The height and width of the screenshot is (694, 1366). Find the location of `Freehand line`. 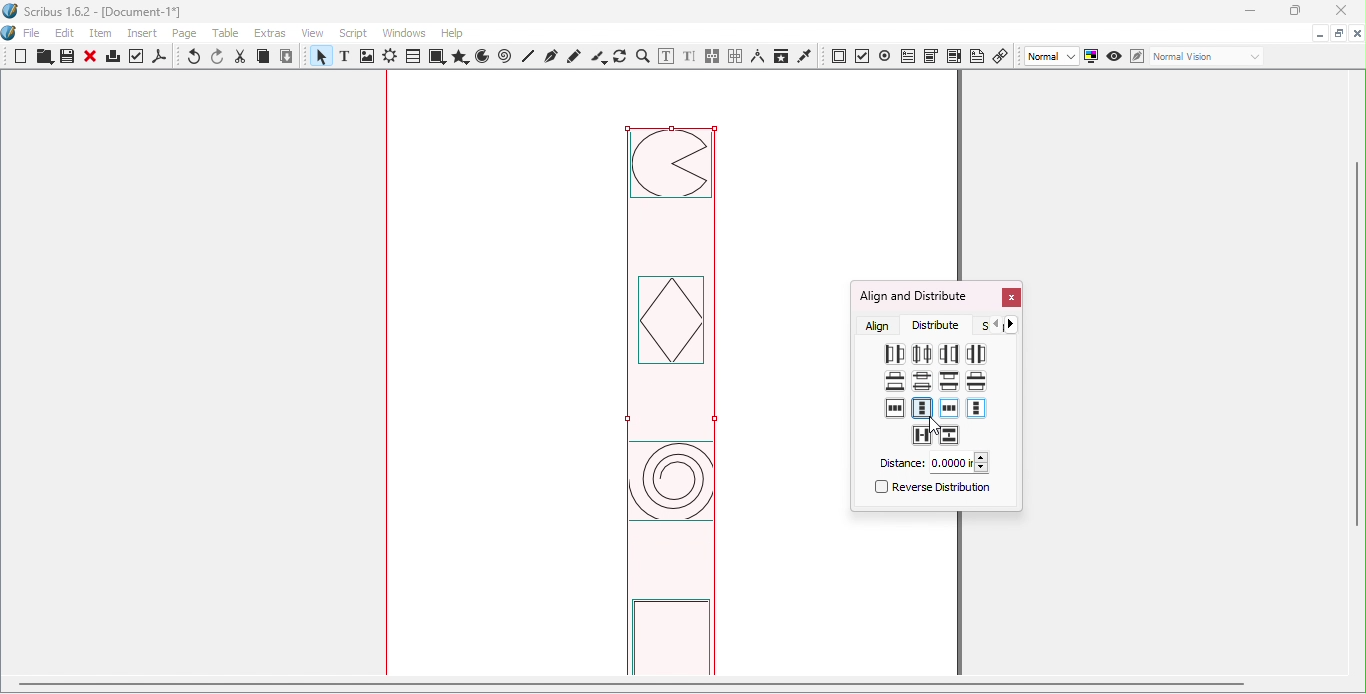

Freehand line is located at coordinates (575, 56).